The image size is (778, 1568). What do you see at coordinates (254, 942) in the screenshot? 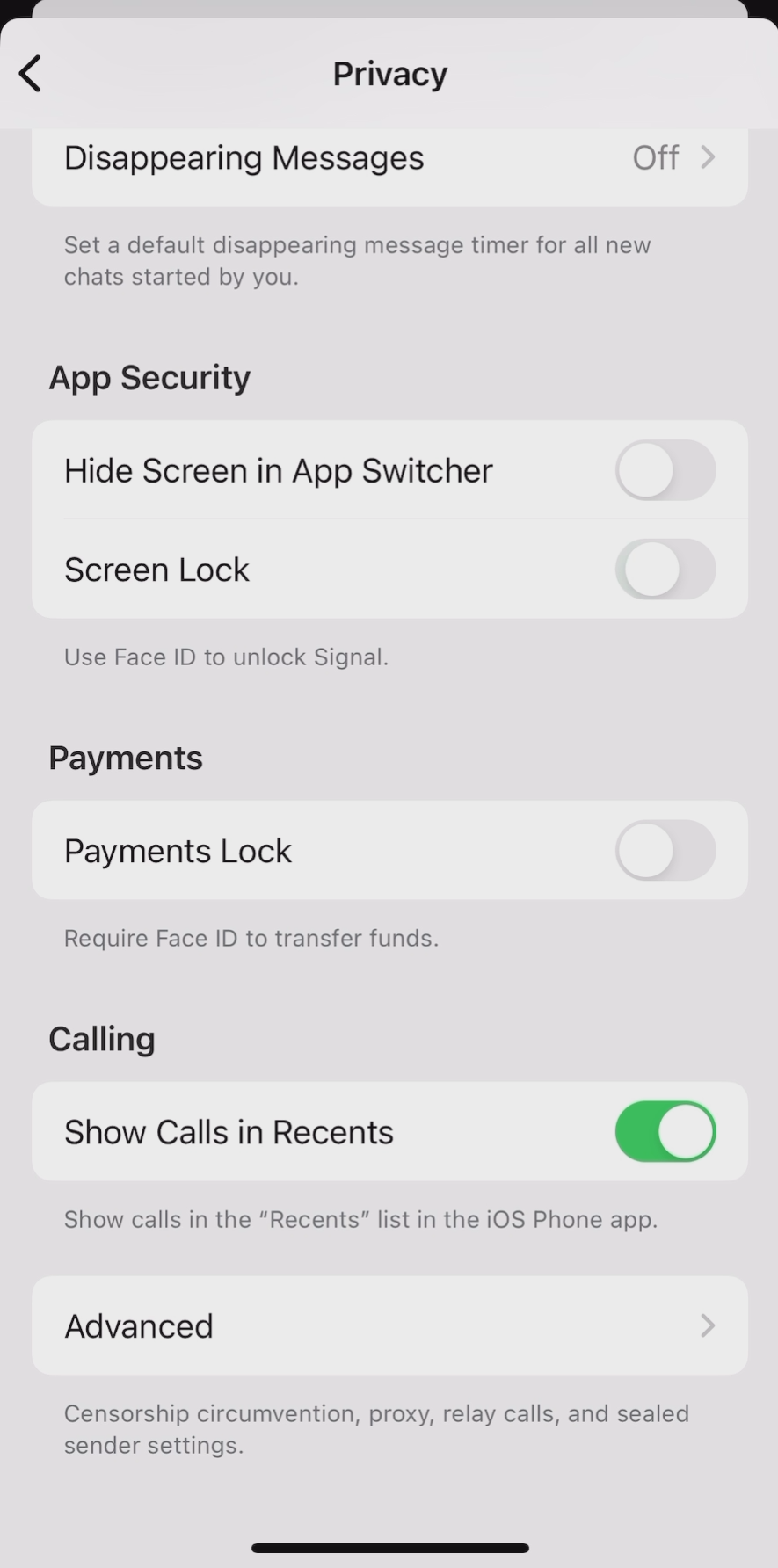
I see `Require Face ID to transfer funds.` at bounding box center [254, 942].